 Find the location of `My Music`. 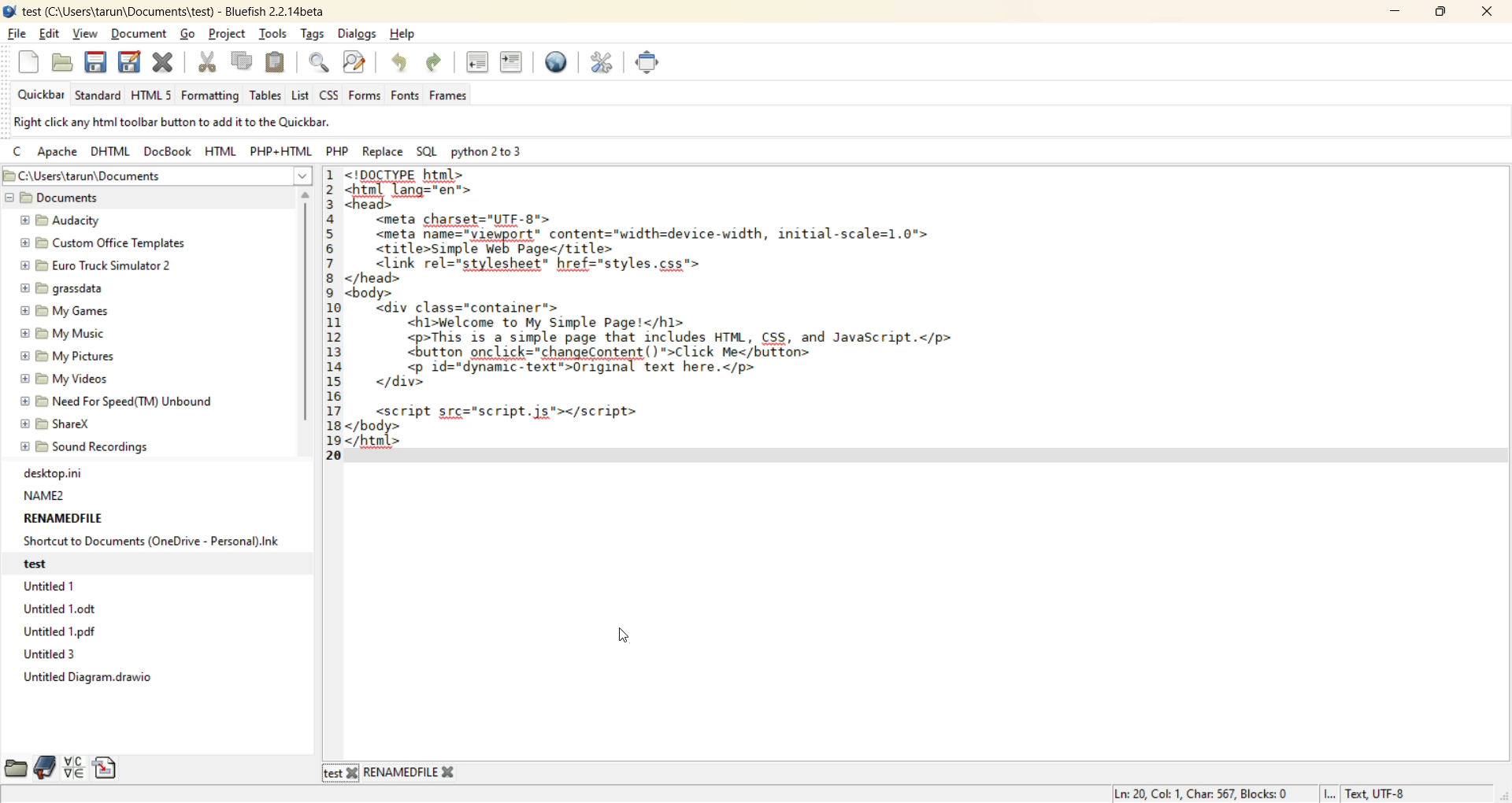

My Music is located at coordinates (69, 331).